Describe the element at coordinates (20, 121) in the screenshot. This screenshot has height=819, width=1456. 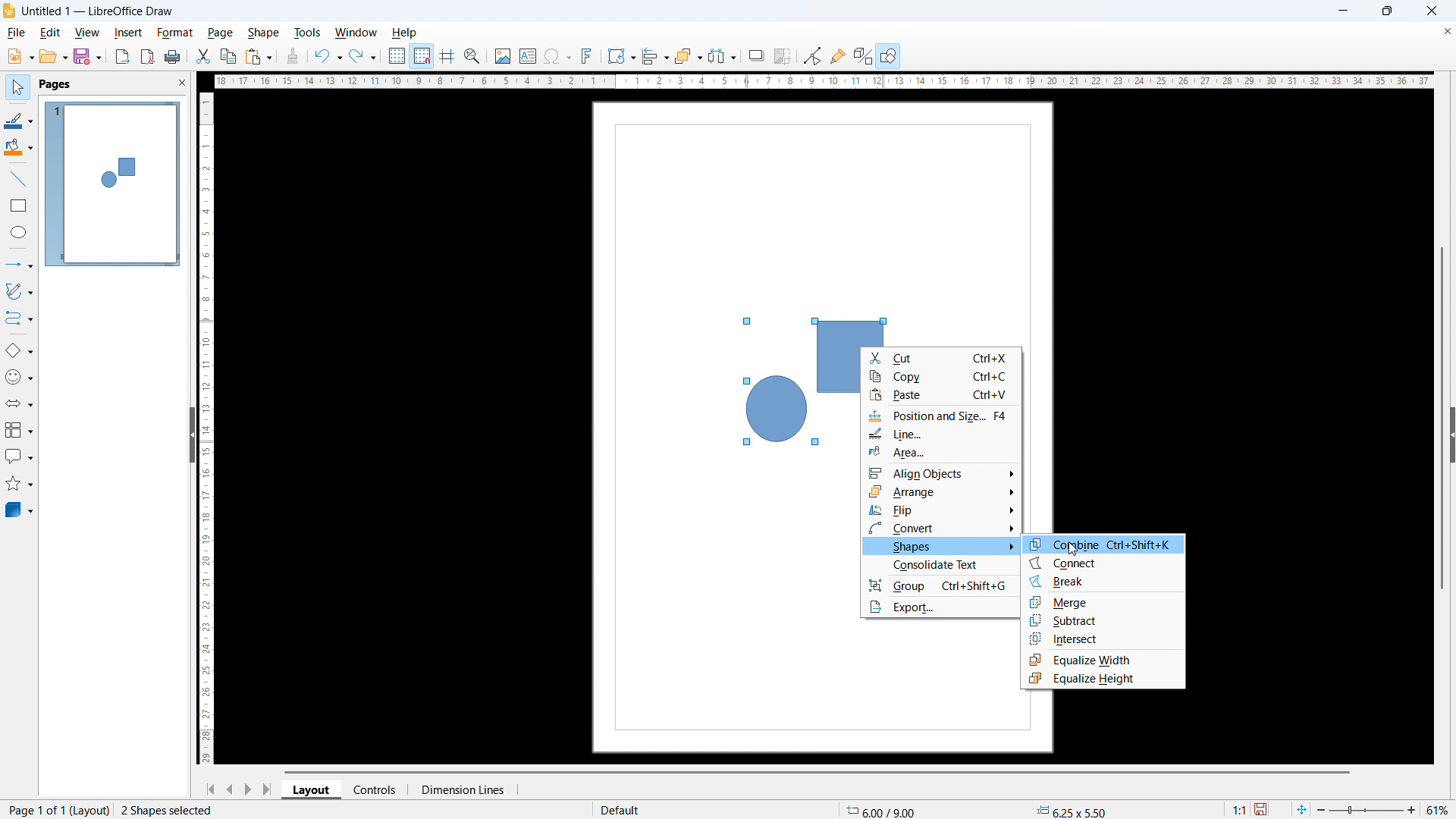
I see `line color` at that location.